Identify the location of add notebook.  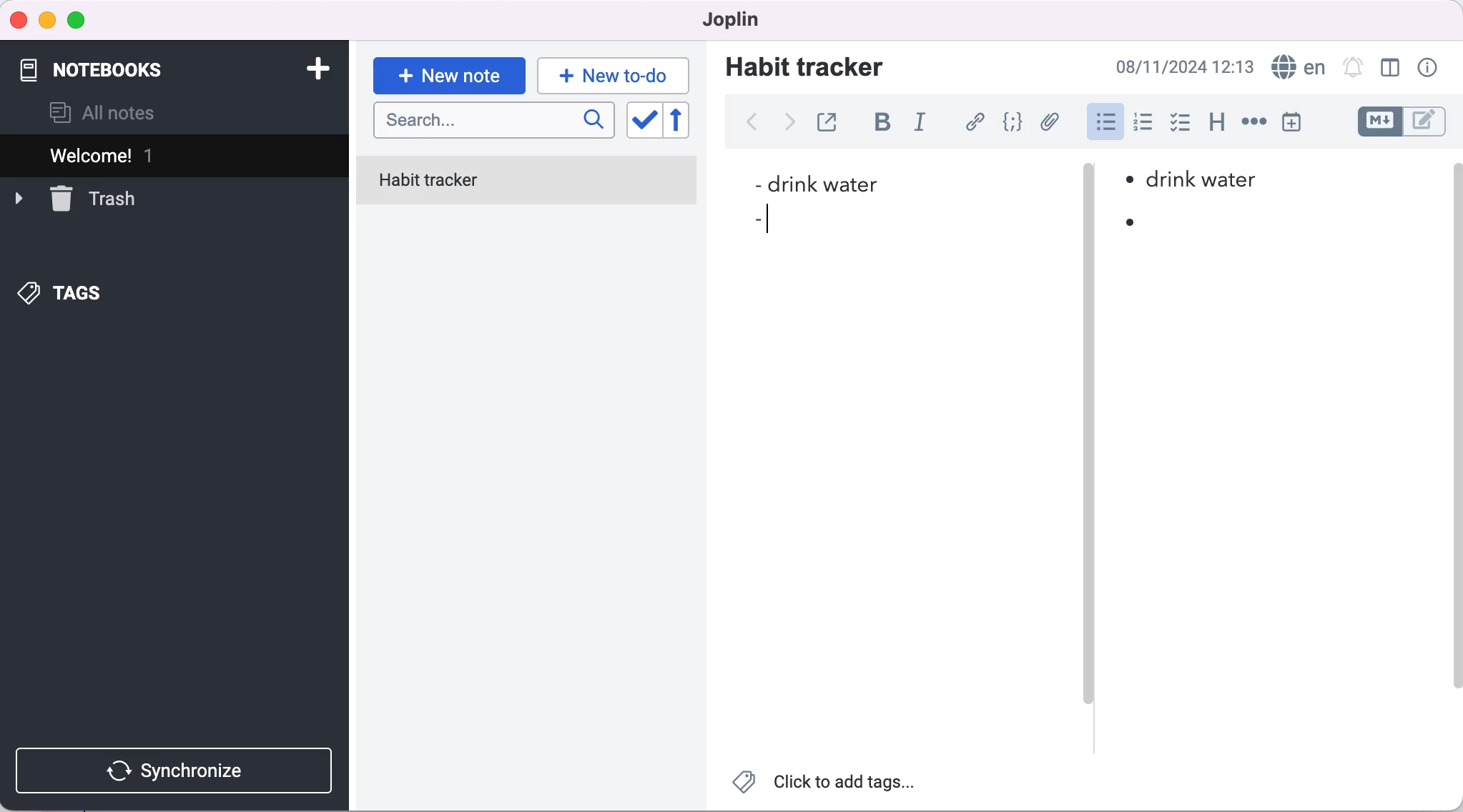
(315, 67).